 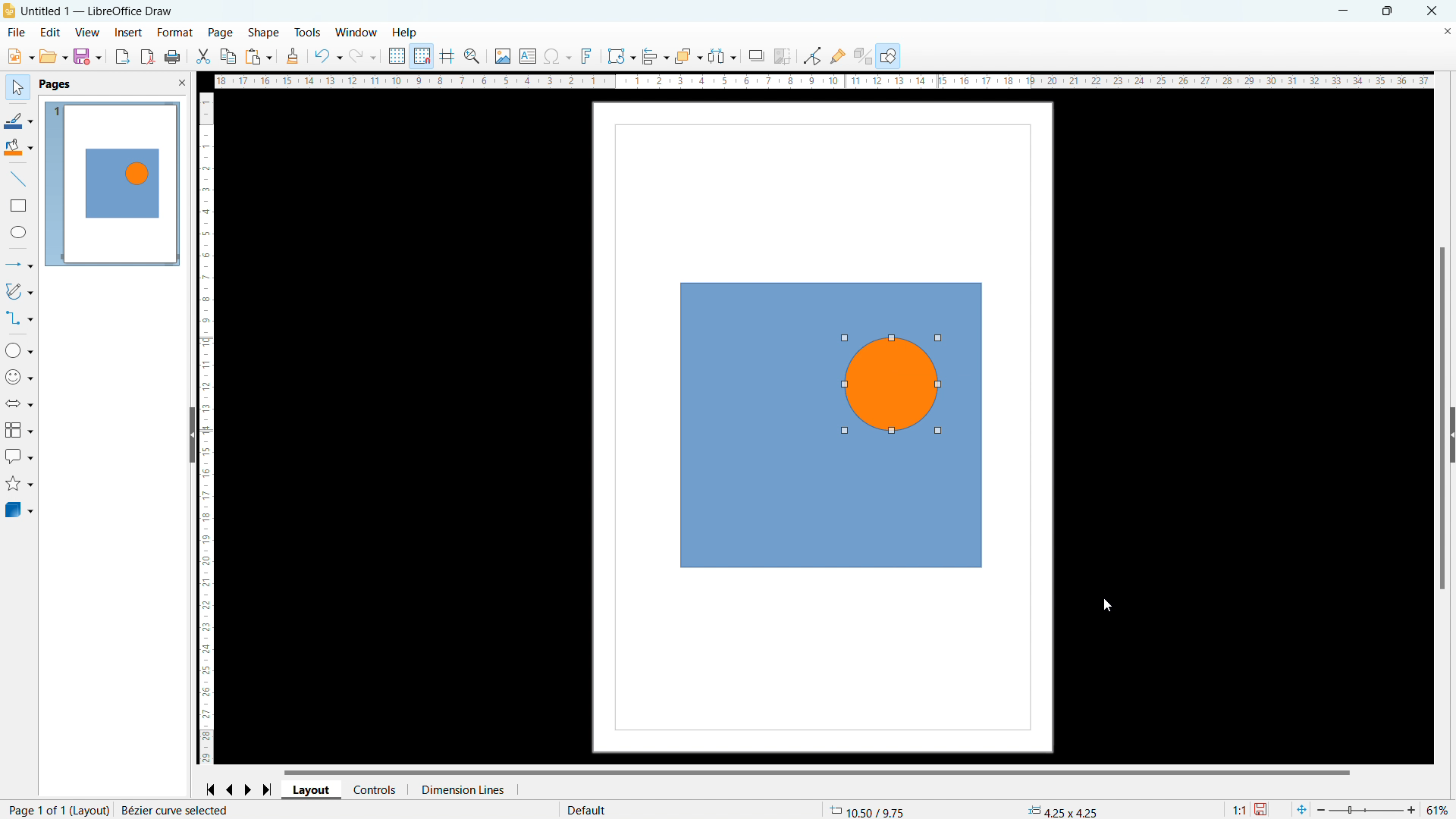 I want to click on close pane, so click(x=182, y=82).